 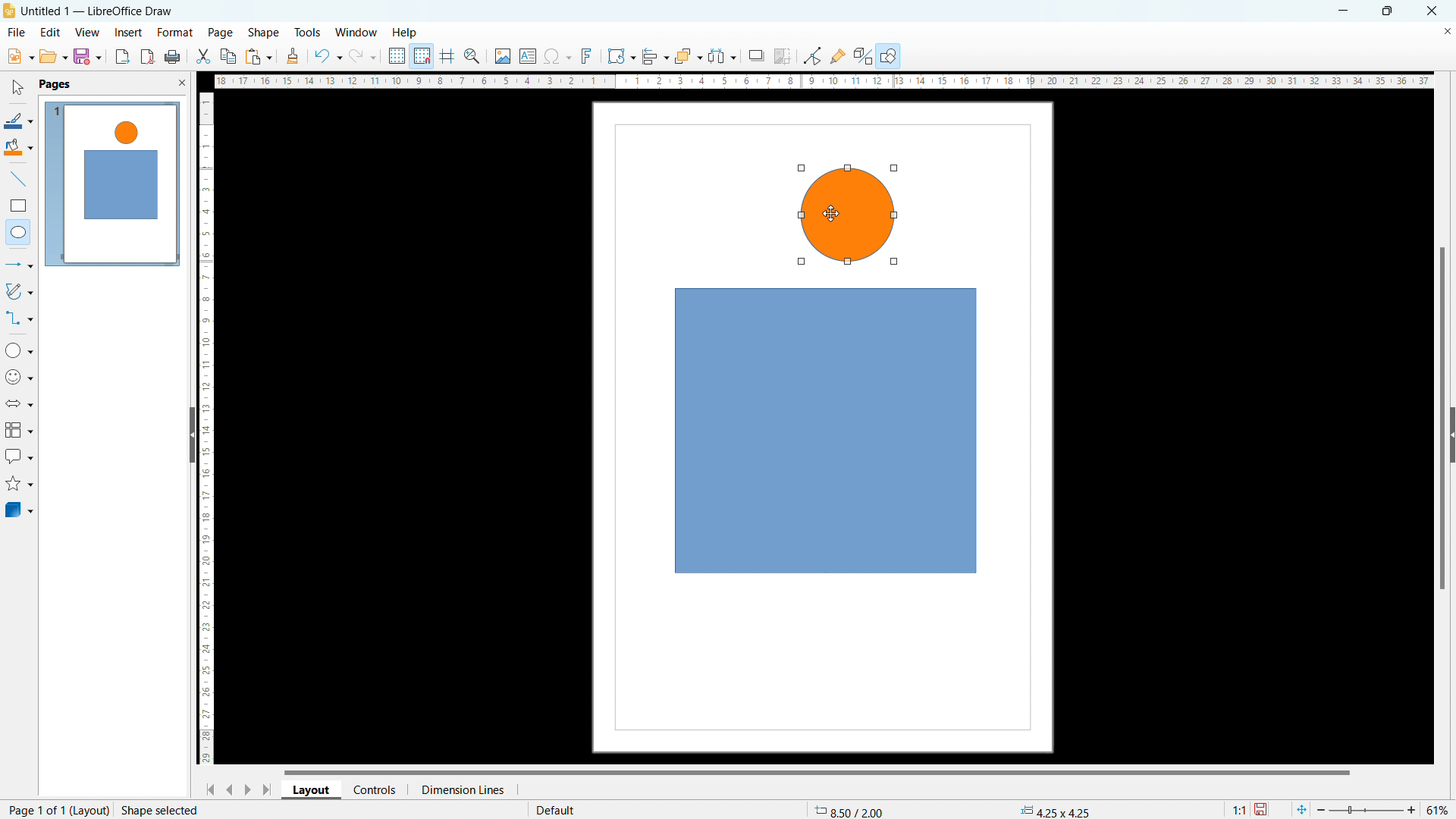 I want to click on fit to current page, so click(x=1301, y=809).